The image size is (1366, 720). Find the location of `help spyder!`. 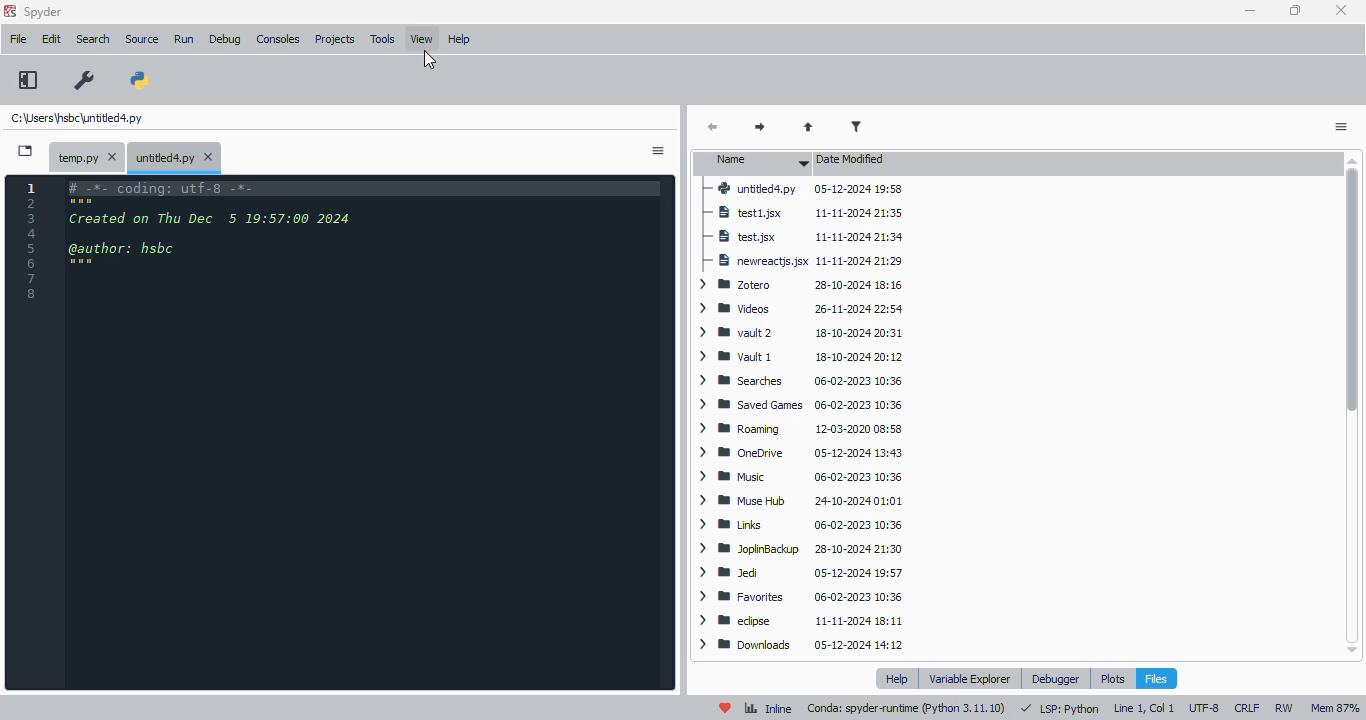

help spyder! is located at coordinates (726, 708).